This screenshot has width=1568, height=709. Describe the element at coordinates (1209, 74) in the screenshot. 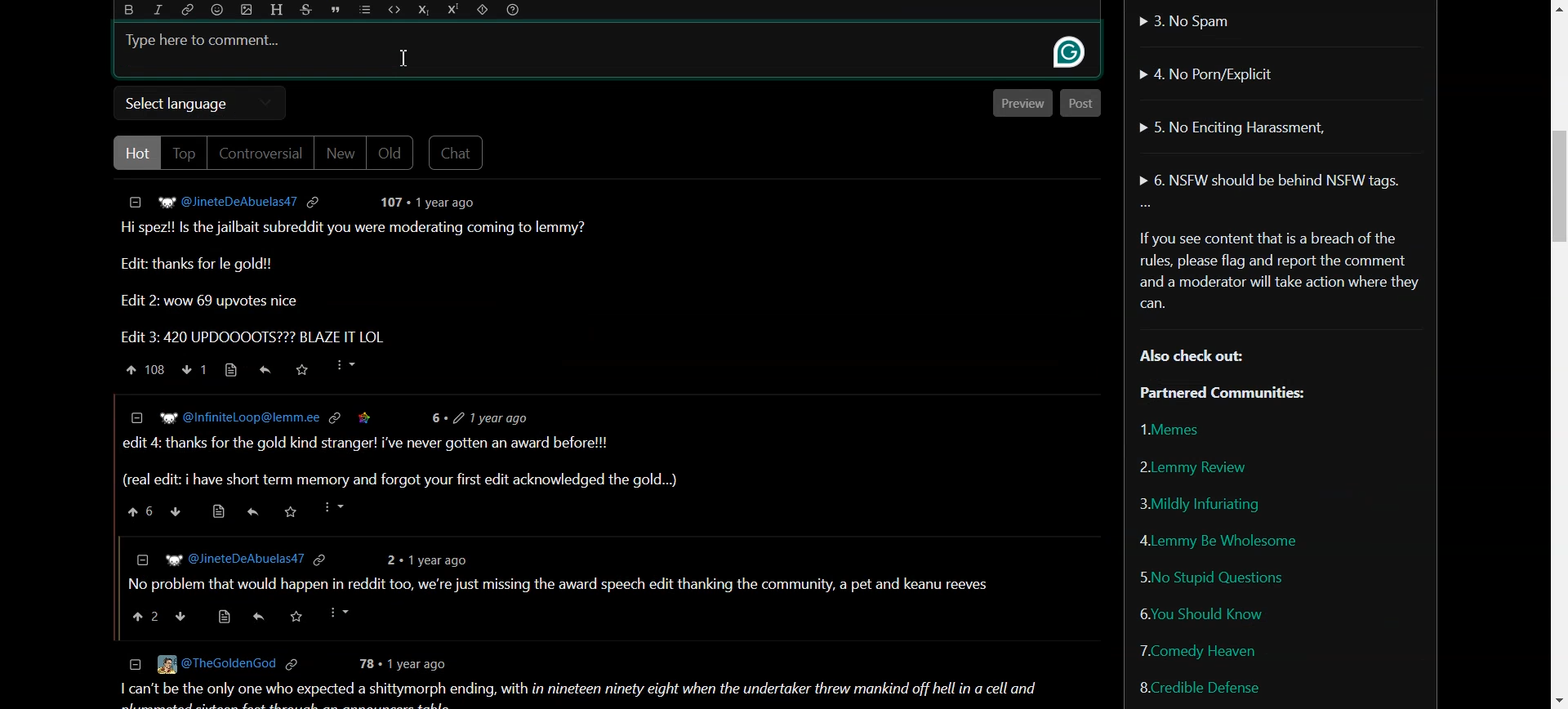

I see `No Porn/Explicit` at that location.